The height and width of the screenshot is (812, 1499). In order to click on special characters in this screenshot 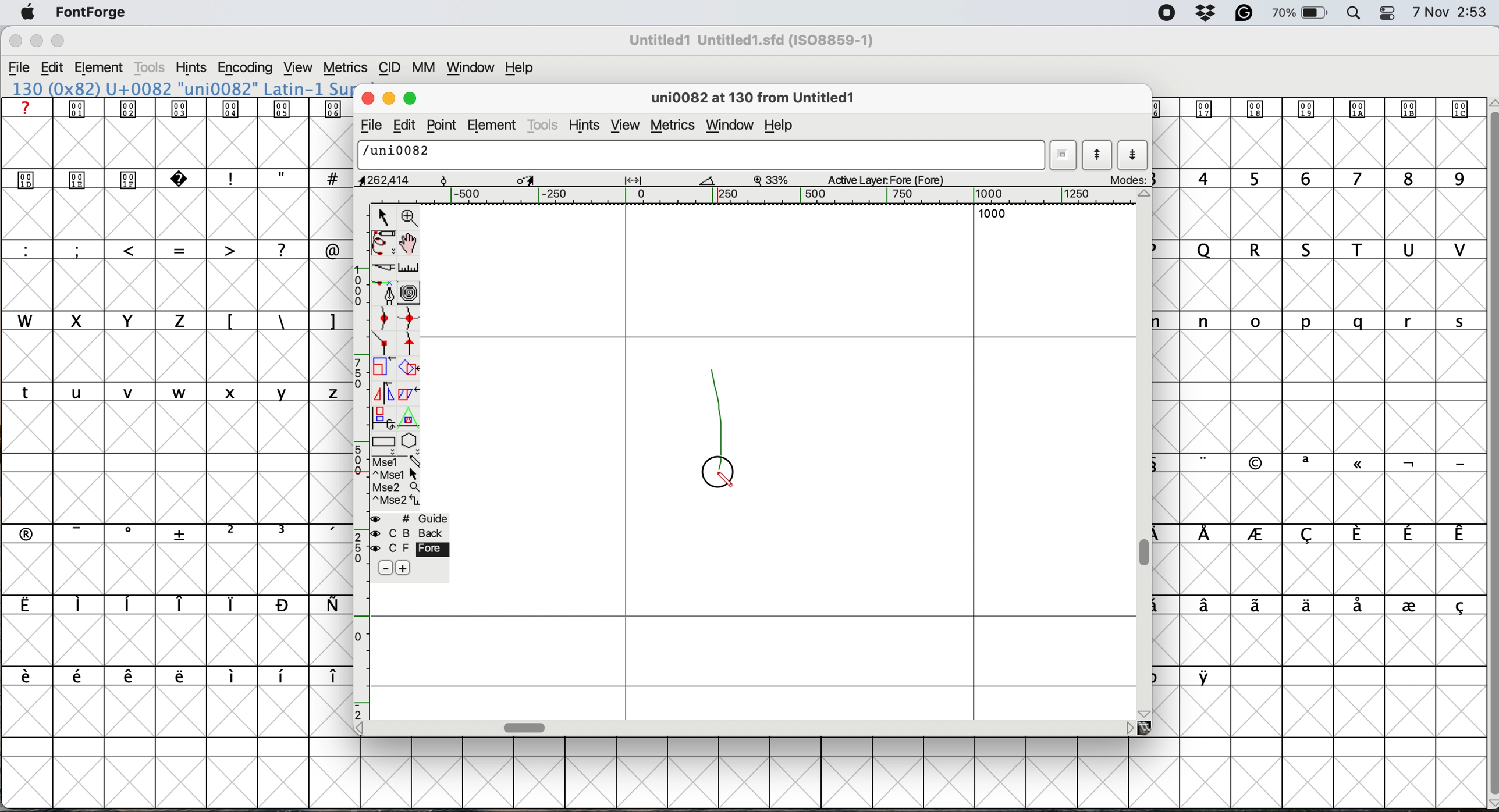, I will do `click(279, 178)`.